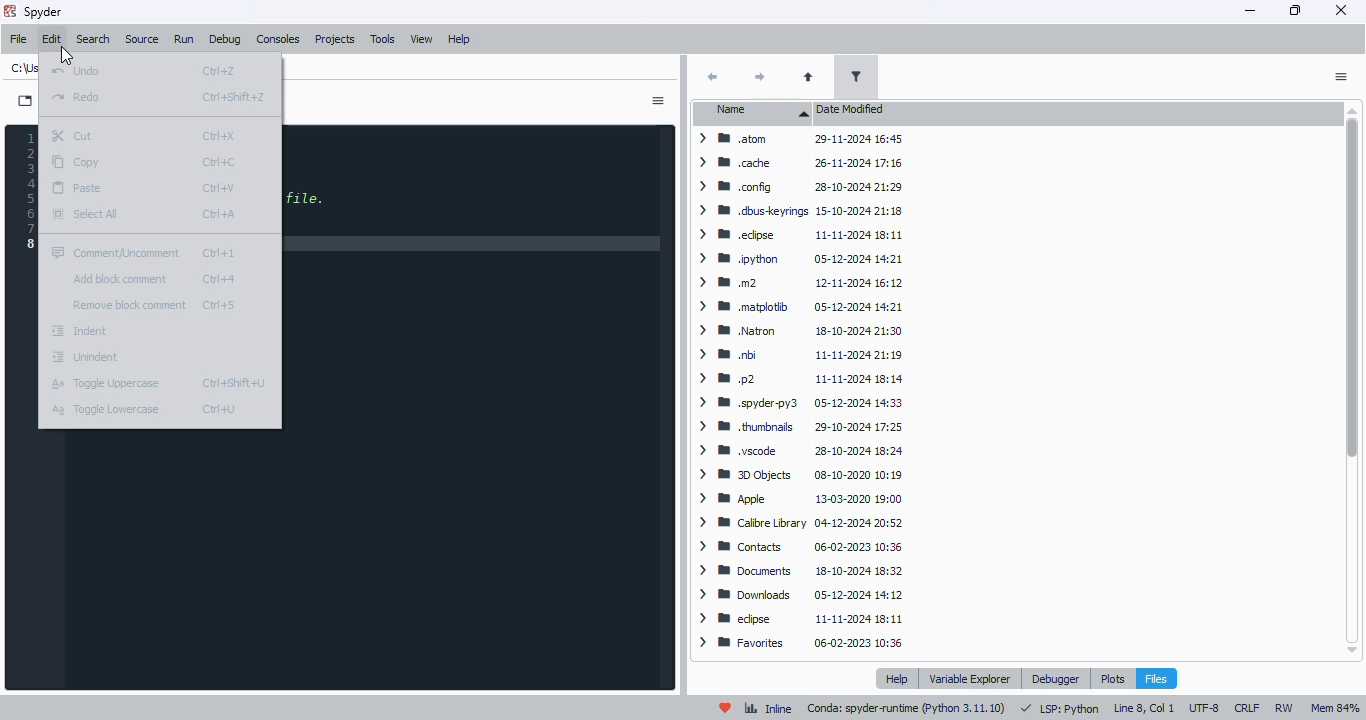 The height and width of the screenshot is (720, 1366). What do you see at coordinates (800, 164) in the screenshot?
I see `> WB cache 26-11-2024 17:16` at bounding box center [800, 164].